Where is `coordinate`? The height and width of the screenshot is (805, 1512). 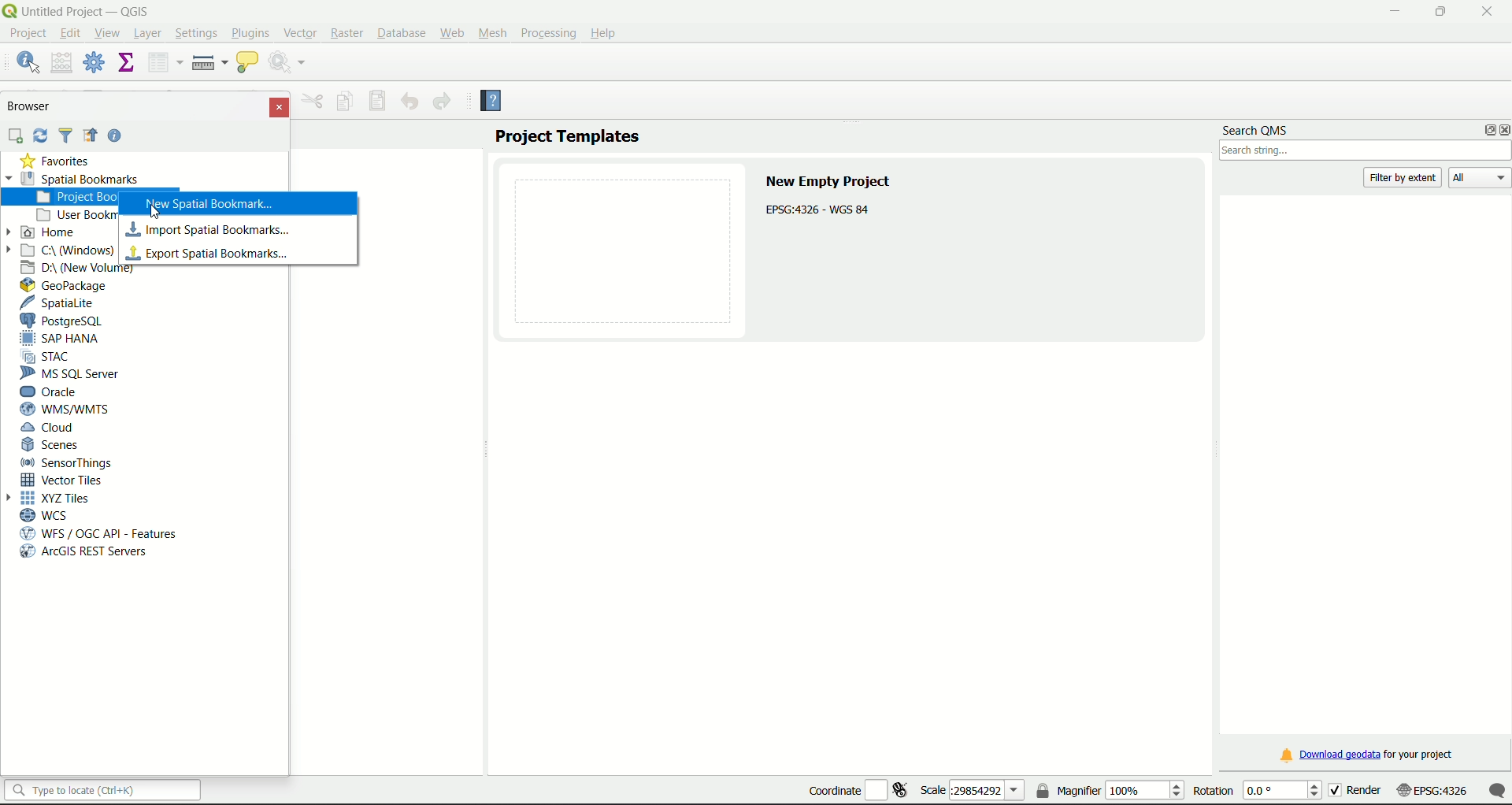
coordinate is located at coordinates (857, 787).